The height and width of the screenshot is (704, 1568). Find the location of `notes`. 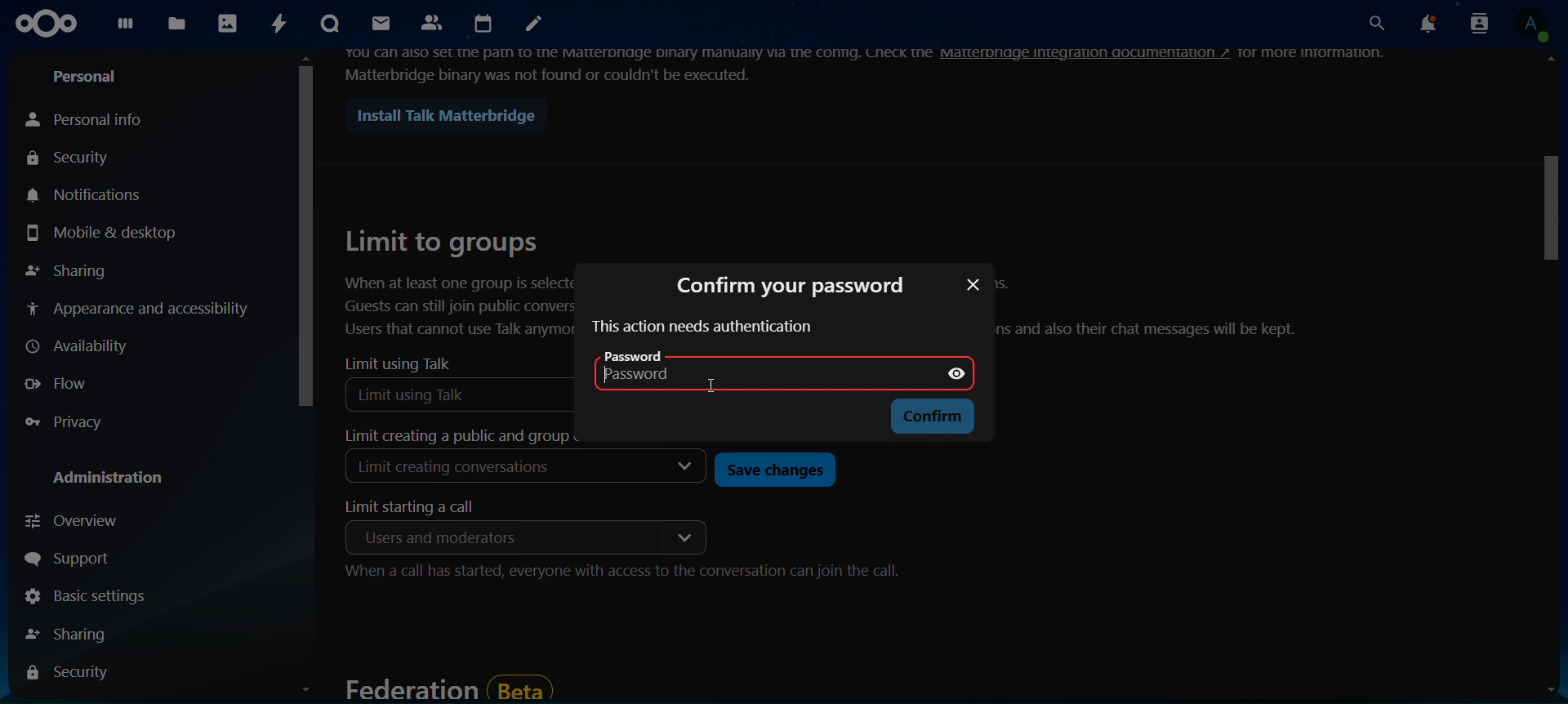

notes is located at coordinates (536, 25).